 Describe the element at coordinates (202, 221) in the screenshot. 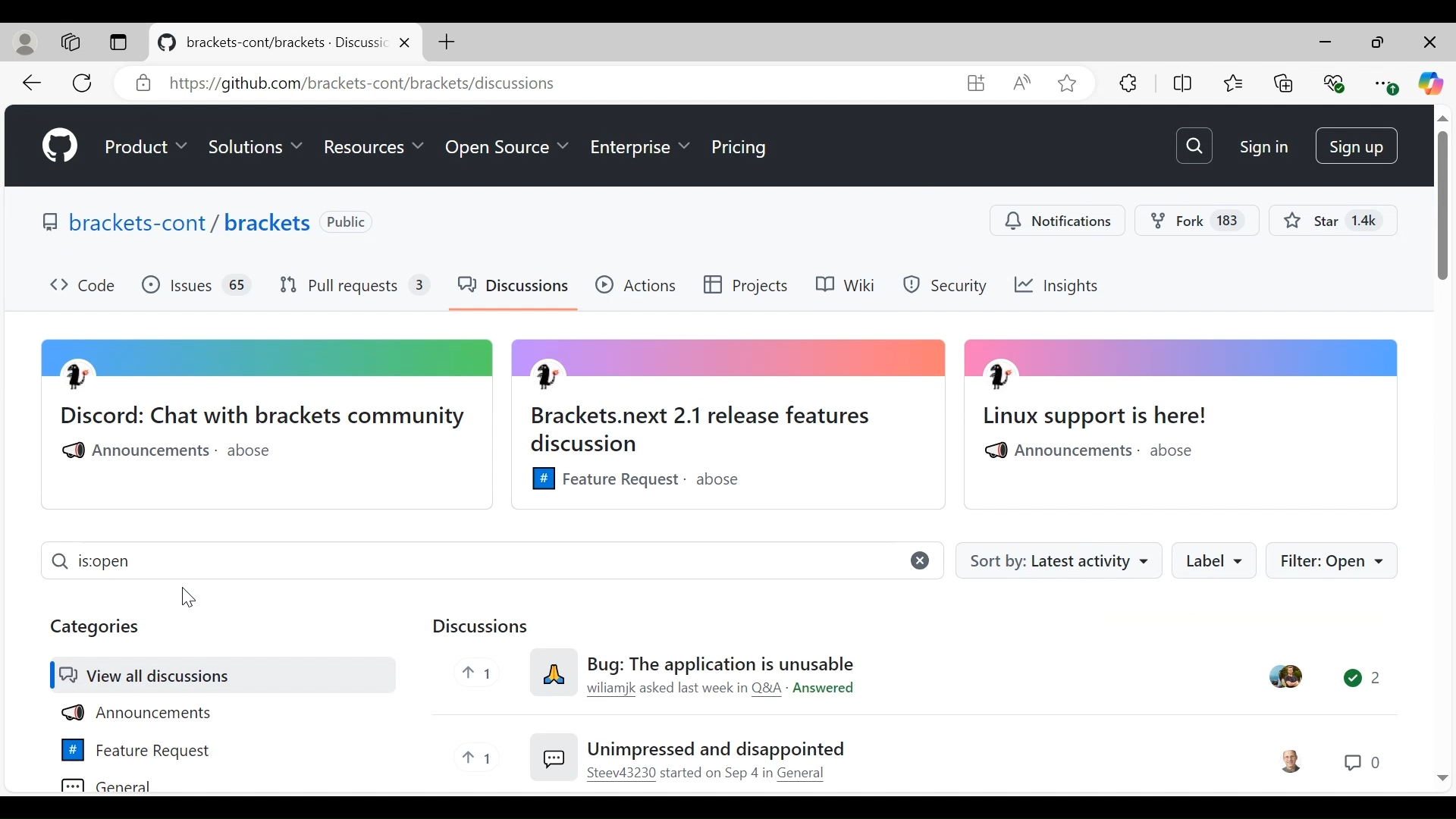

I see `Brackets Public Interface` at that location.